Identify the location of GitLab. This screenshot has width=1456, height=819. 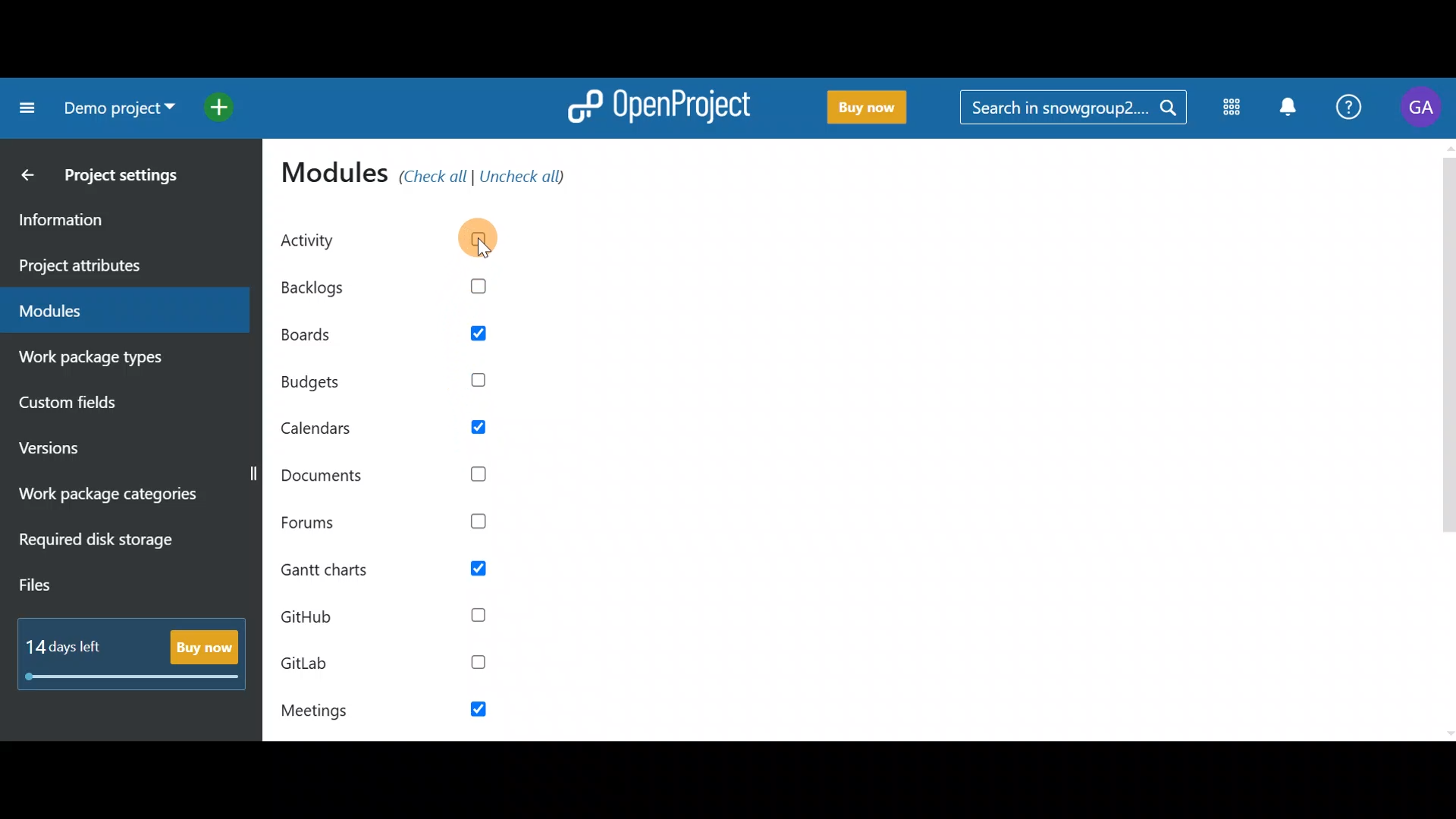
(385, 664).